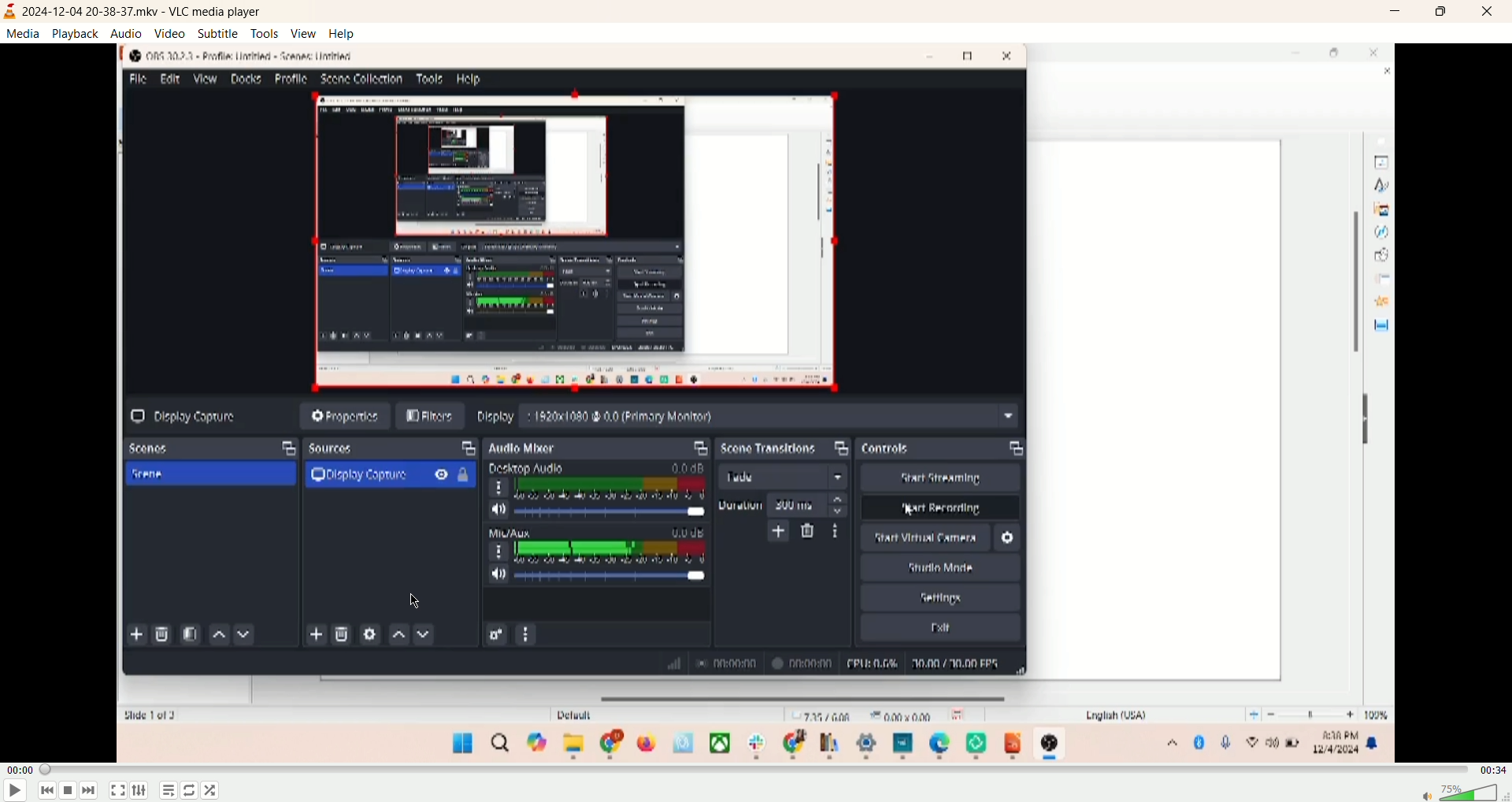  Describe the element at coordinates (169, 791) in the screenshot. I see `playlist` at that location.